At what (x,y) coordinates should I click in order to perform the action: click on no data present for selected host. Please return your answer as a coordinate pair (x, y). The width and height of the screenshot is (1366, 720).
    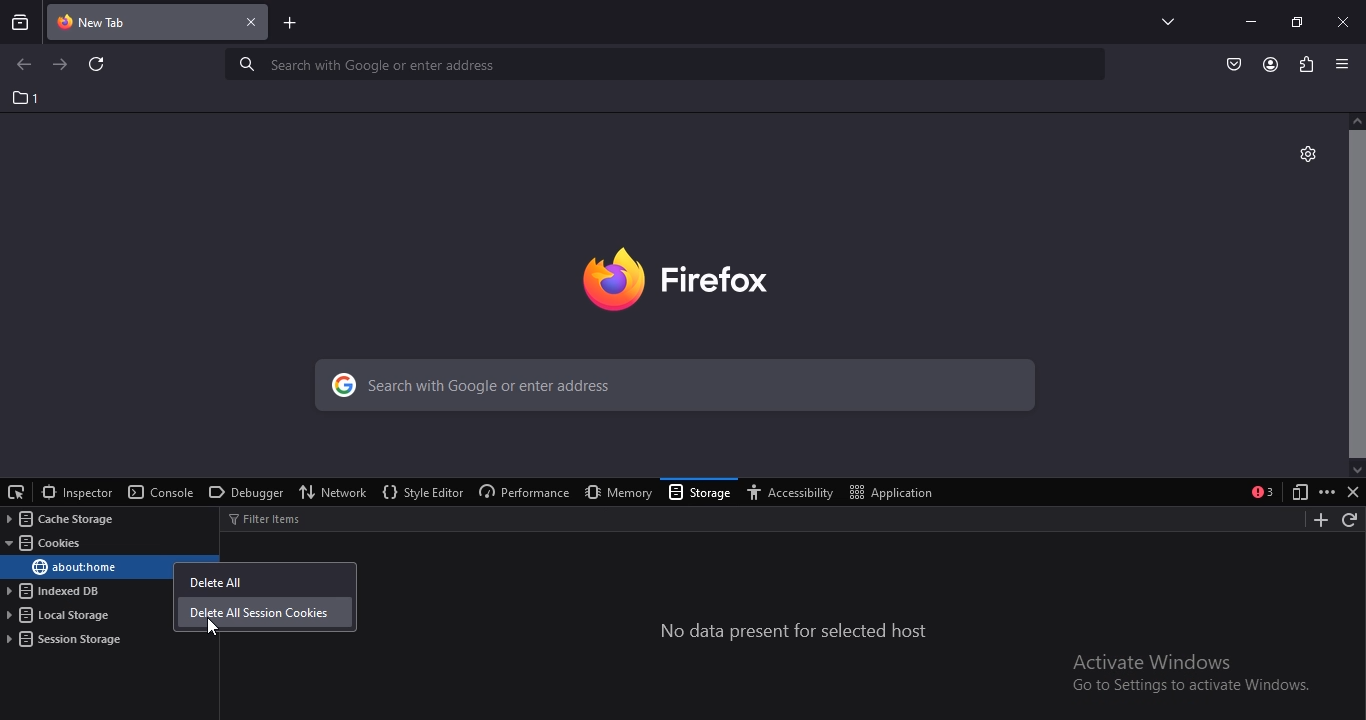
    Looking at the image, I should click on (795, 632).